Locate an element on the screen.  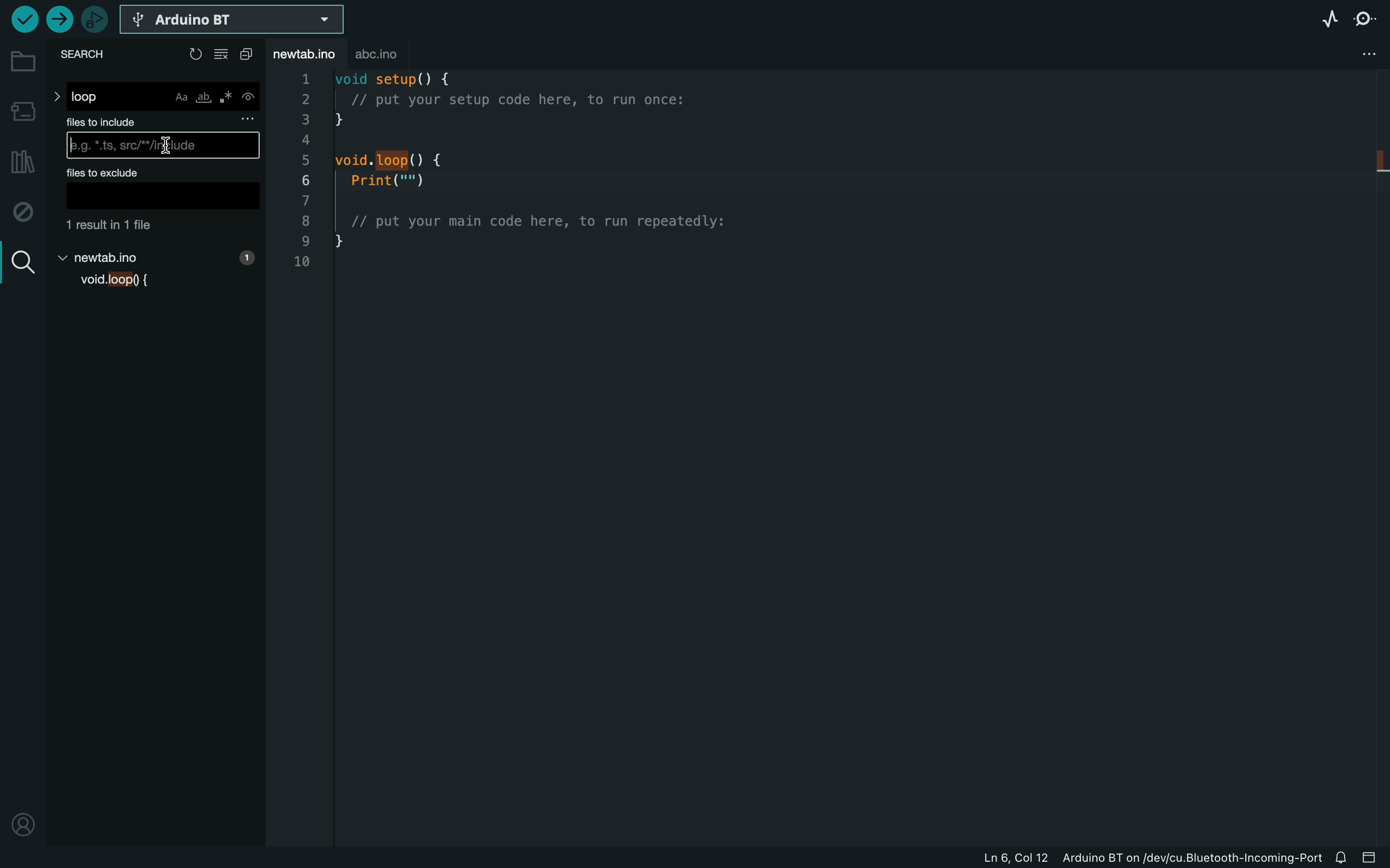
debug is located at coordinates (25, 212).